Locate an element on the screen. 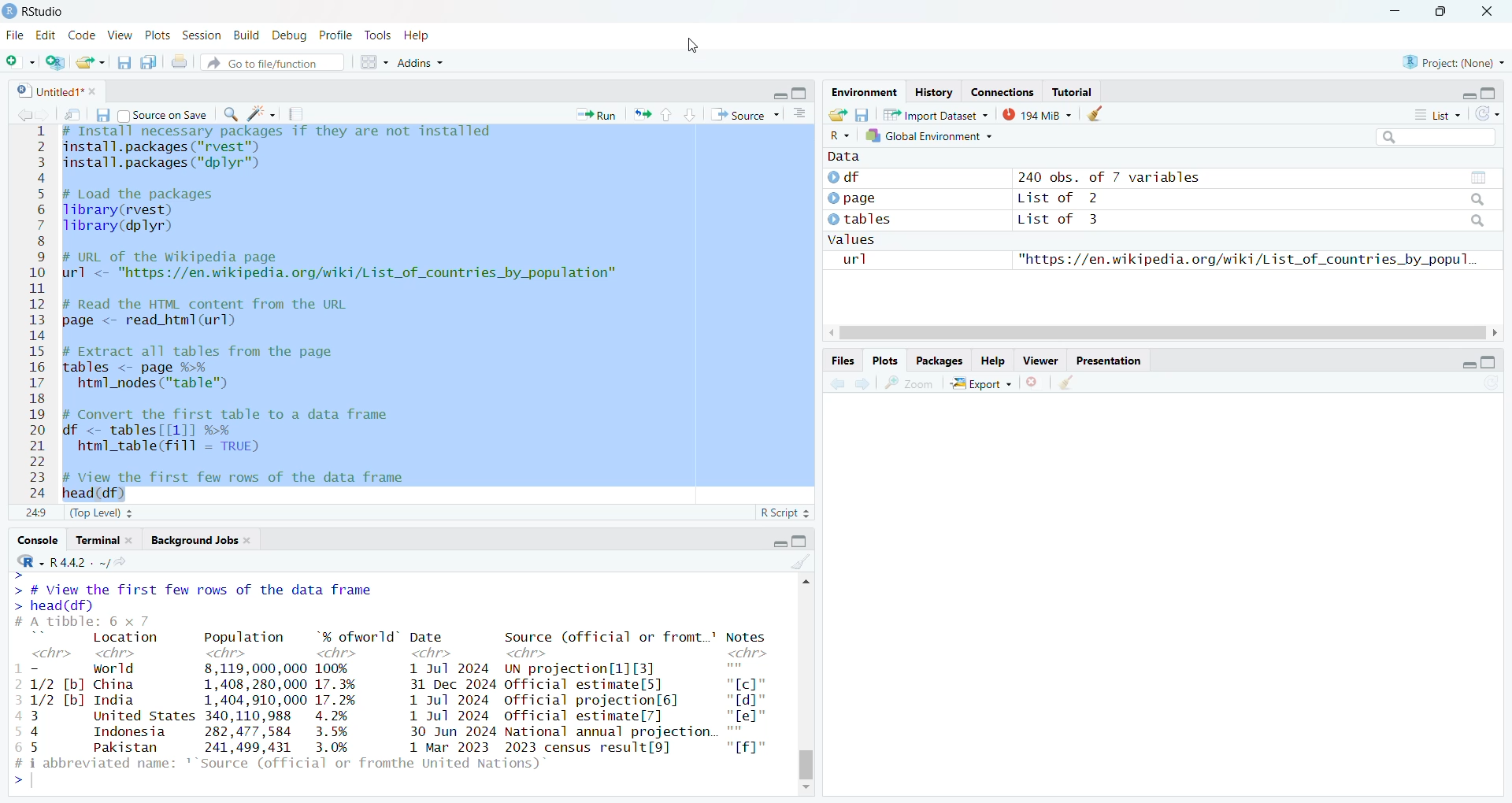 Image resolution: width=1512 pixels, height=803 pixels. open folder is located at coordinates (839, 114).